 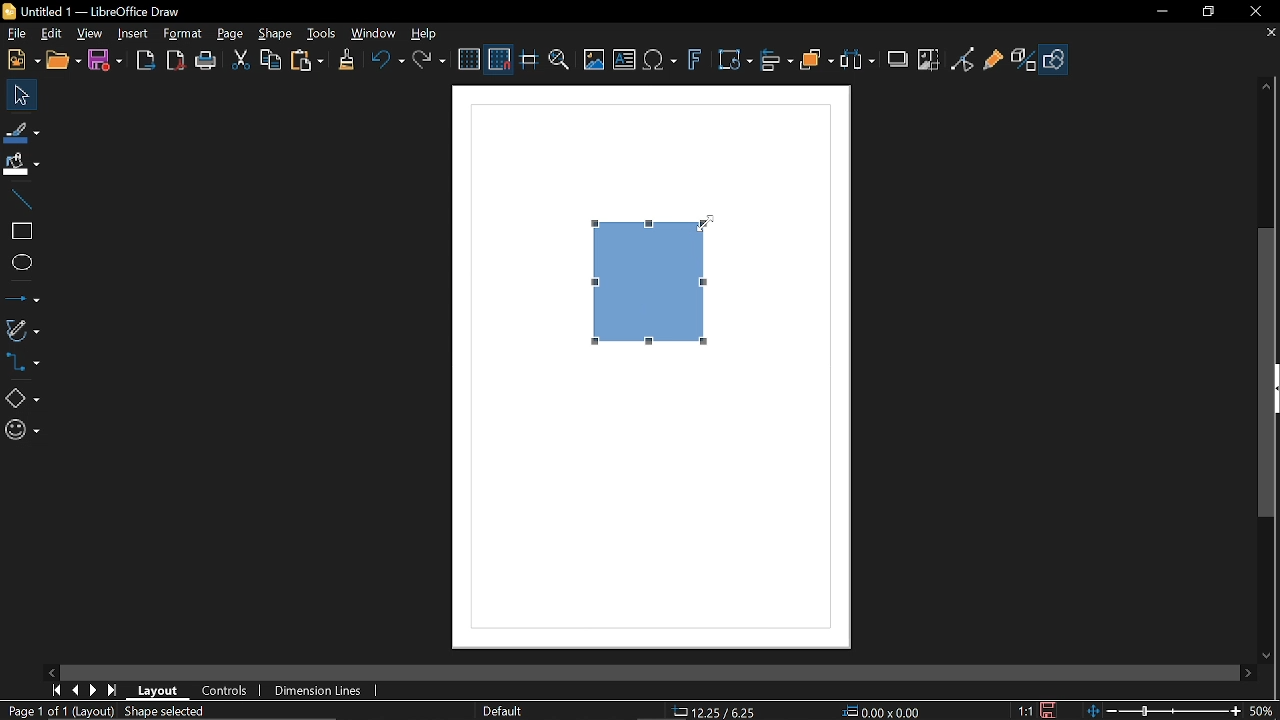 What do you see at coordinates (898, 61) in the screenshot?
I see `Shadow` at bounding box center [898, 61].